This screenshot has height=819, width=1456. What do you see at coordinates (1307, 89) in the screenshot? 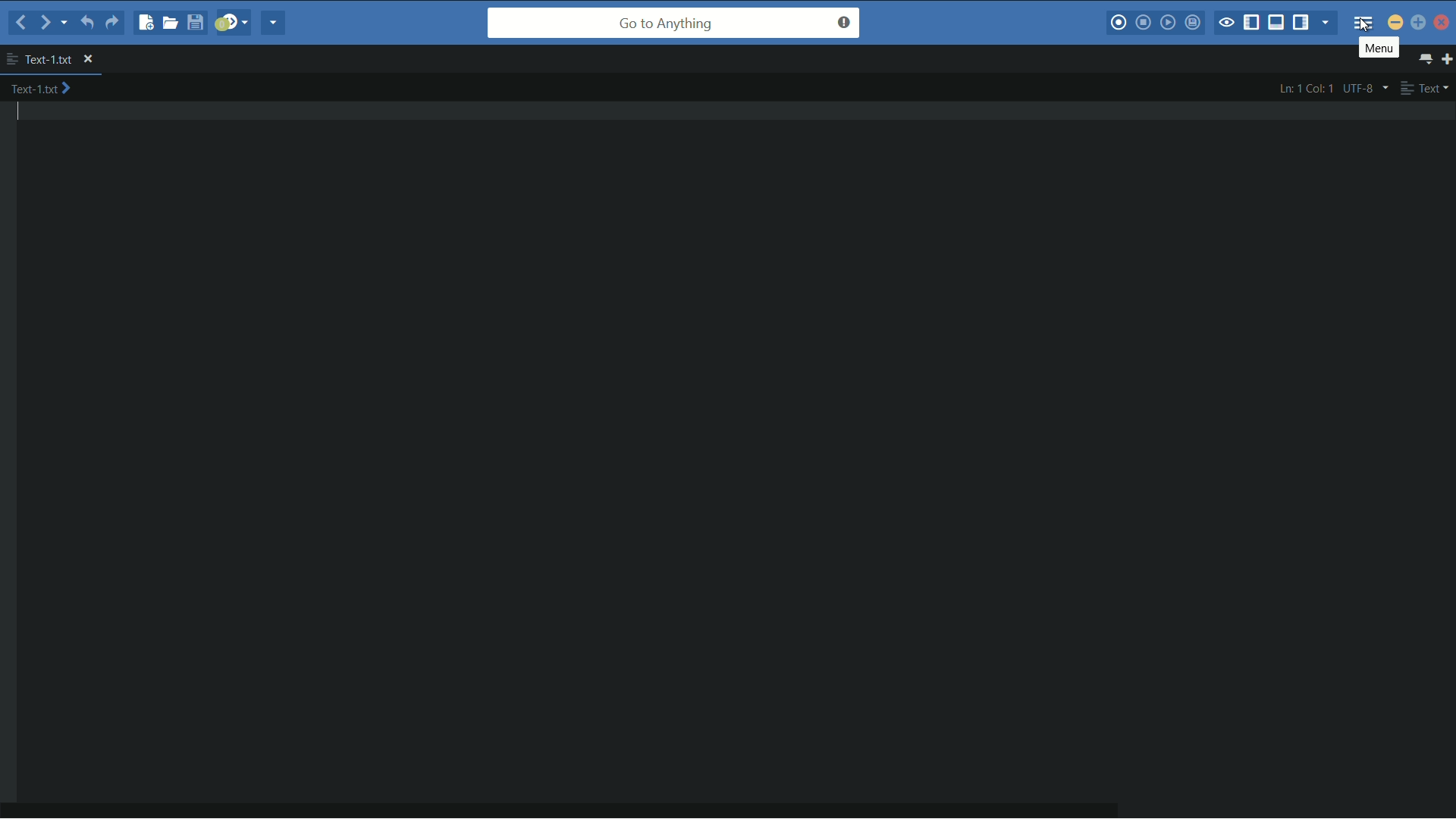
I see `ln: 1 col: 1` at bounding box center [1307, 89].